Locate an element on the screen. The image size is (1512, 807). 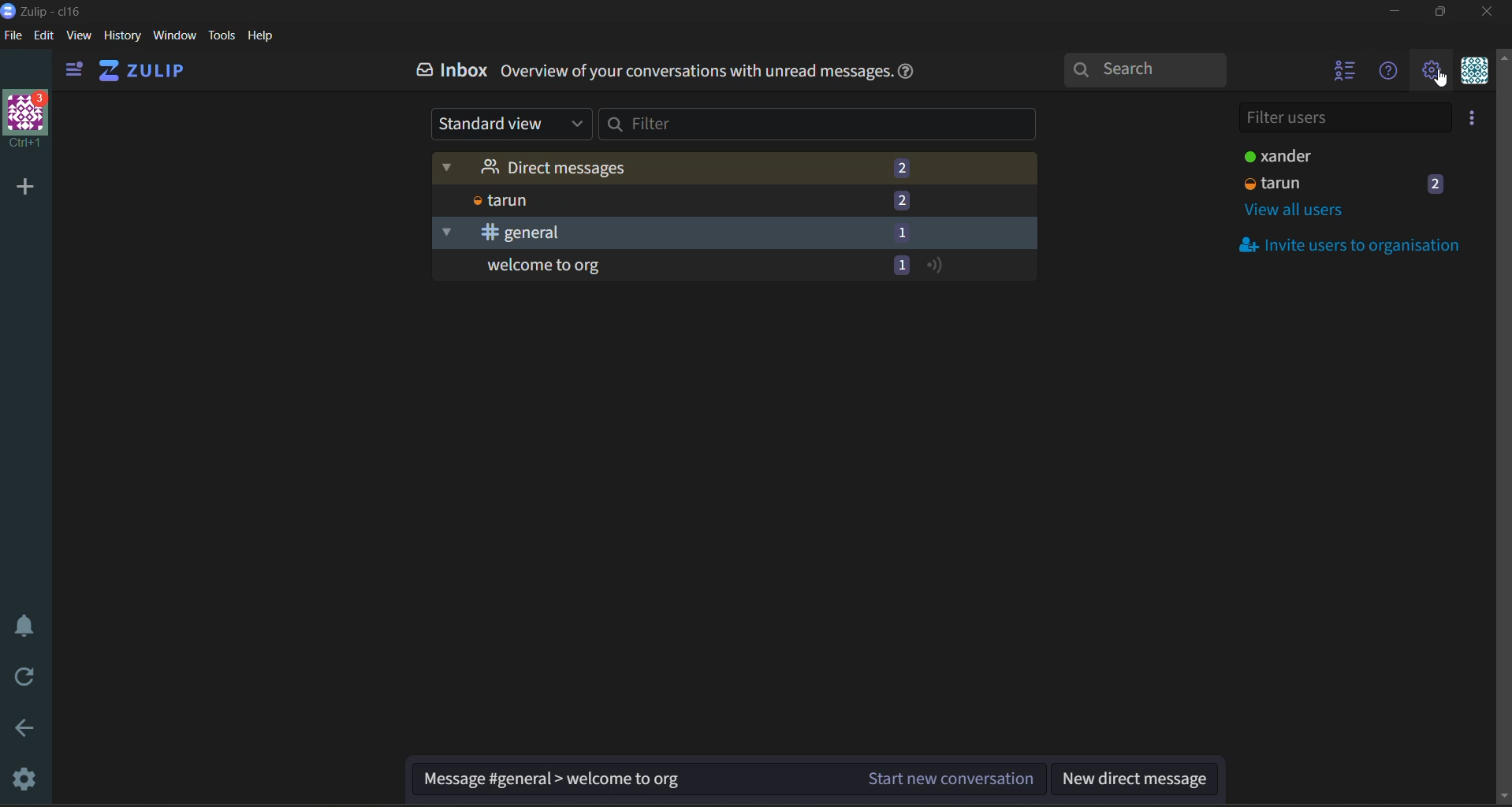
new direct message is located at coordinates (1135, 777).